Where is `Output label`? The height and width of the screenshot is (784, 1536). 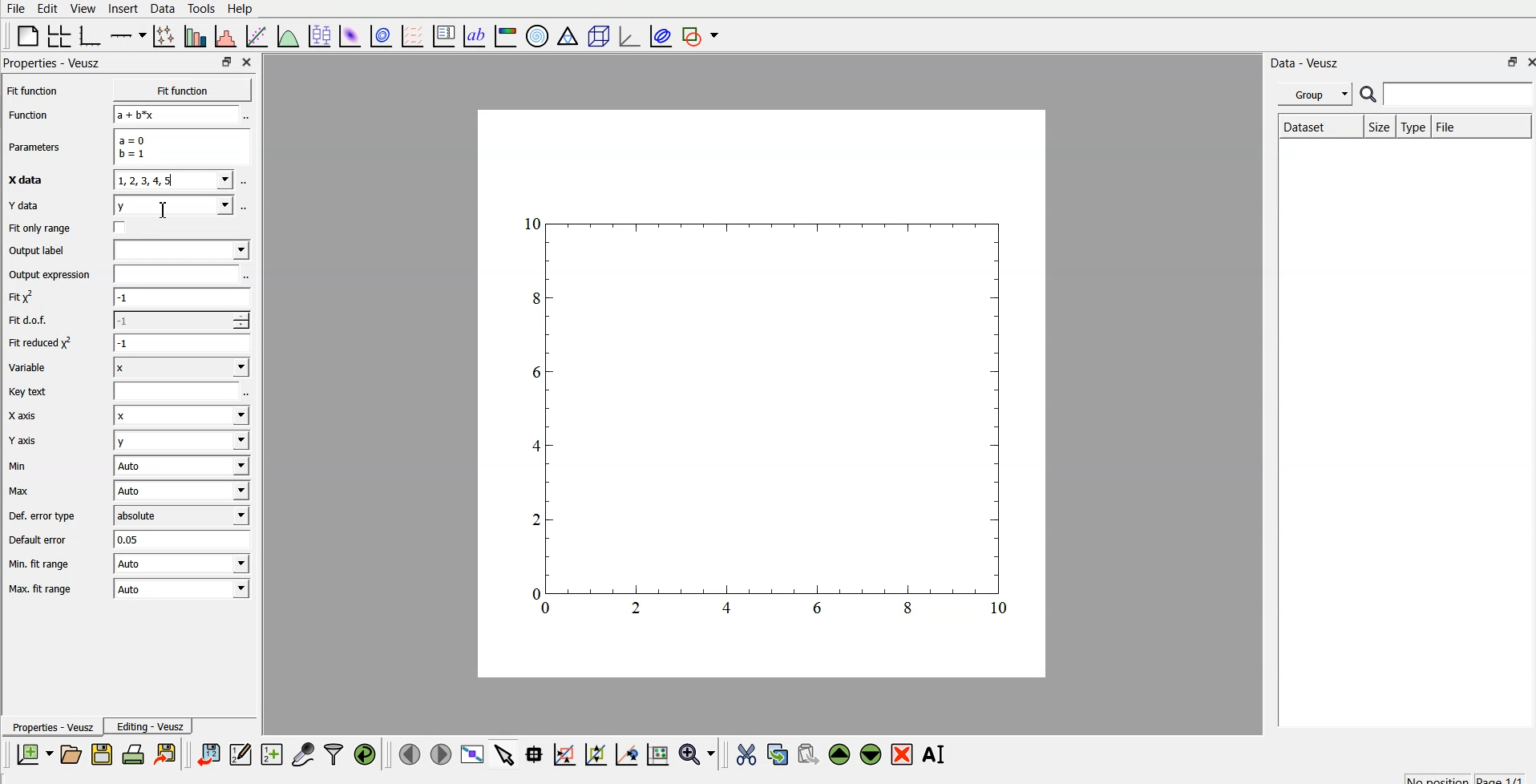 Output label is located at coordinates (50, 250).